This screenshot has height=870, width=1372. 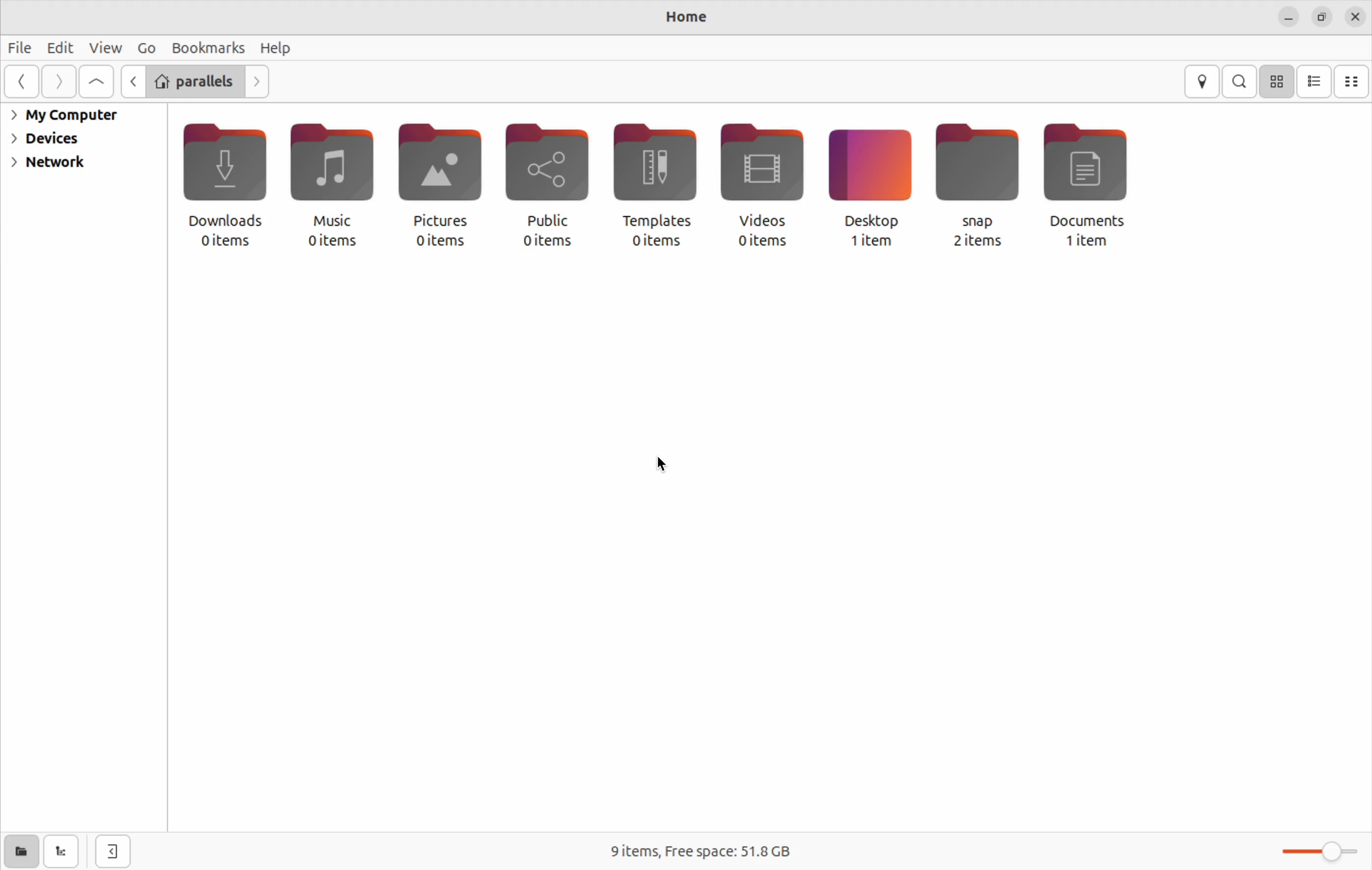 What do you see at coordinates (1315, 81) in the screenshot?
I see `list view` at bounding box center [1315, 81].